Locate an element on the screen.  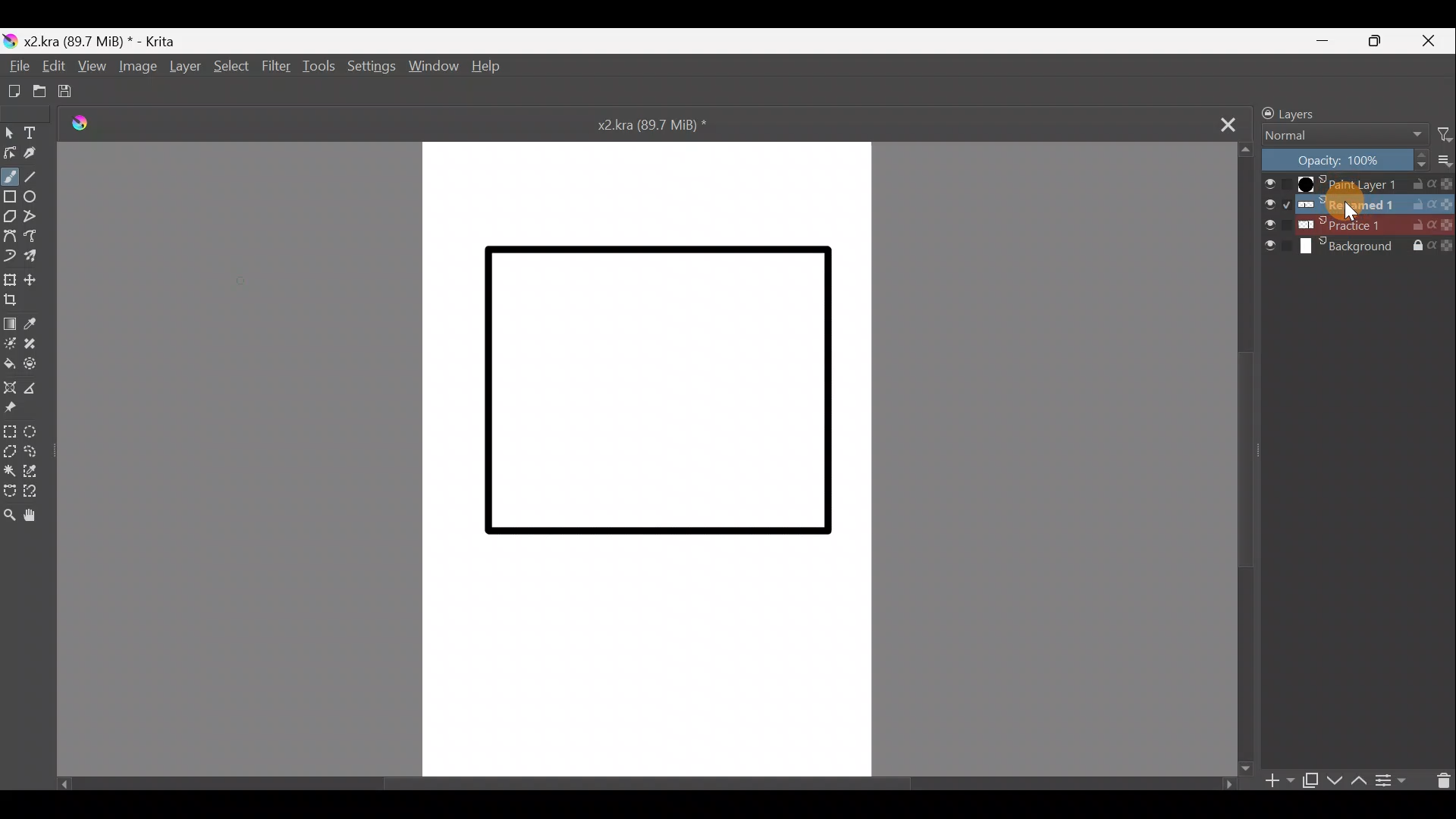
Background is located at coordinates (1357, 248).